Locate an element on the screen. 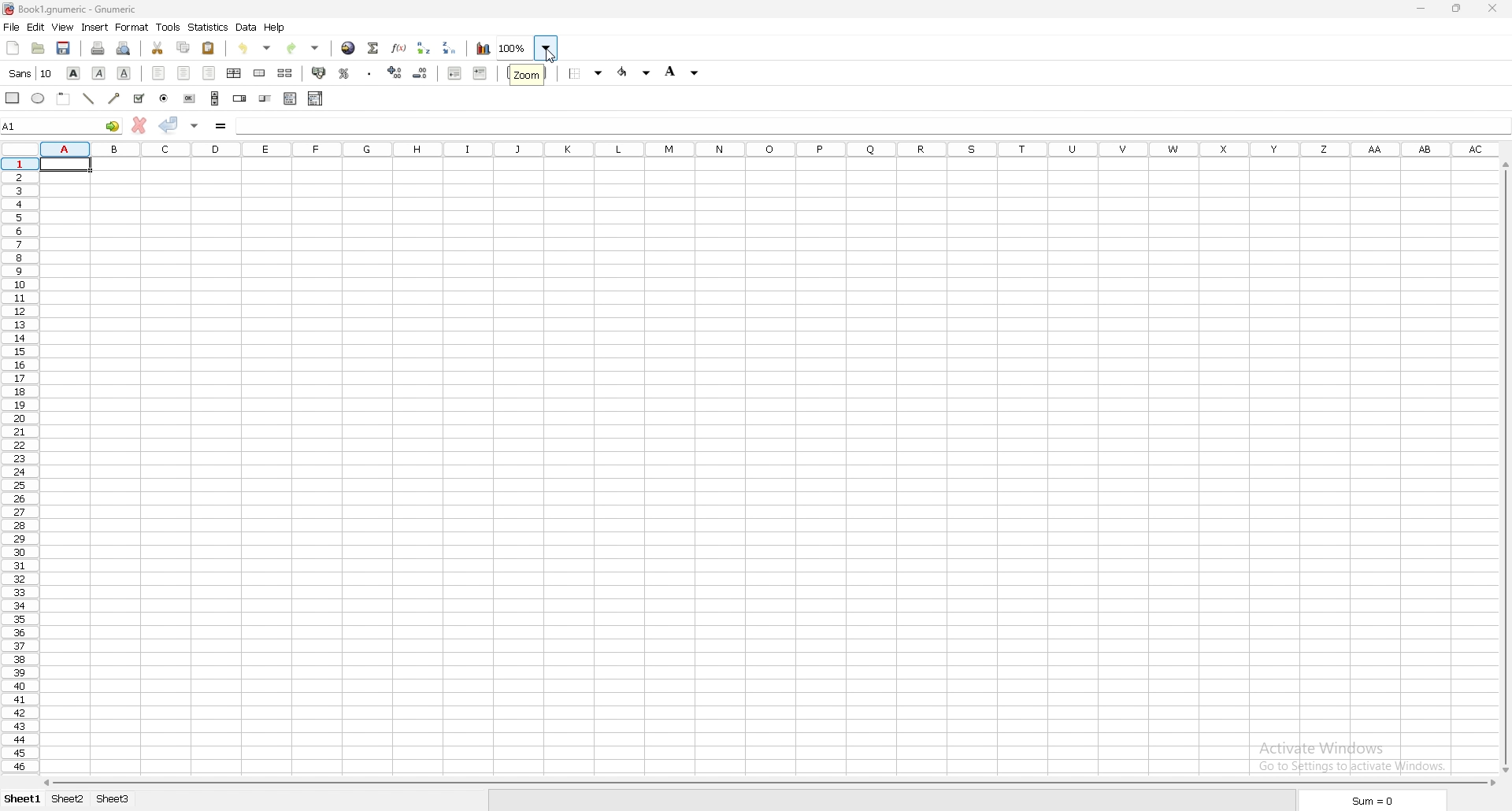 The image size is (1512, 811). decrease indent is located at coordinates (455, 74).